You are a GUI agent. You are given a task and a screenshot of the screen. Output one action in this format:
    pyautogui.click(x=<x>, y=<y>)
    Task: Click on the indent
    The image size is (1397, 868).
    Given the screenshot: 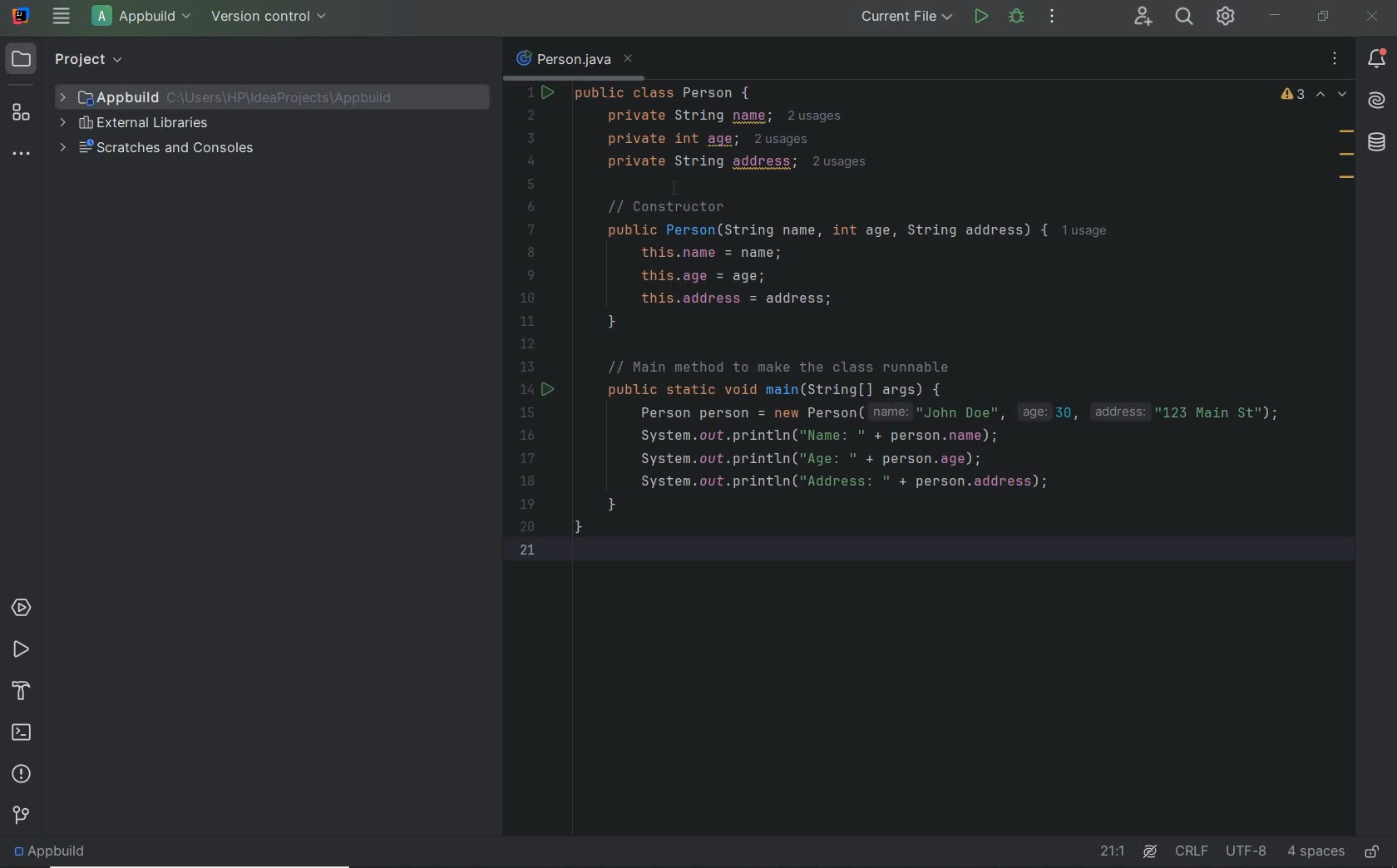 What is the action you would take?
    pyautogui.click(x=1315, y=851)
    